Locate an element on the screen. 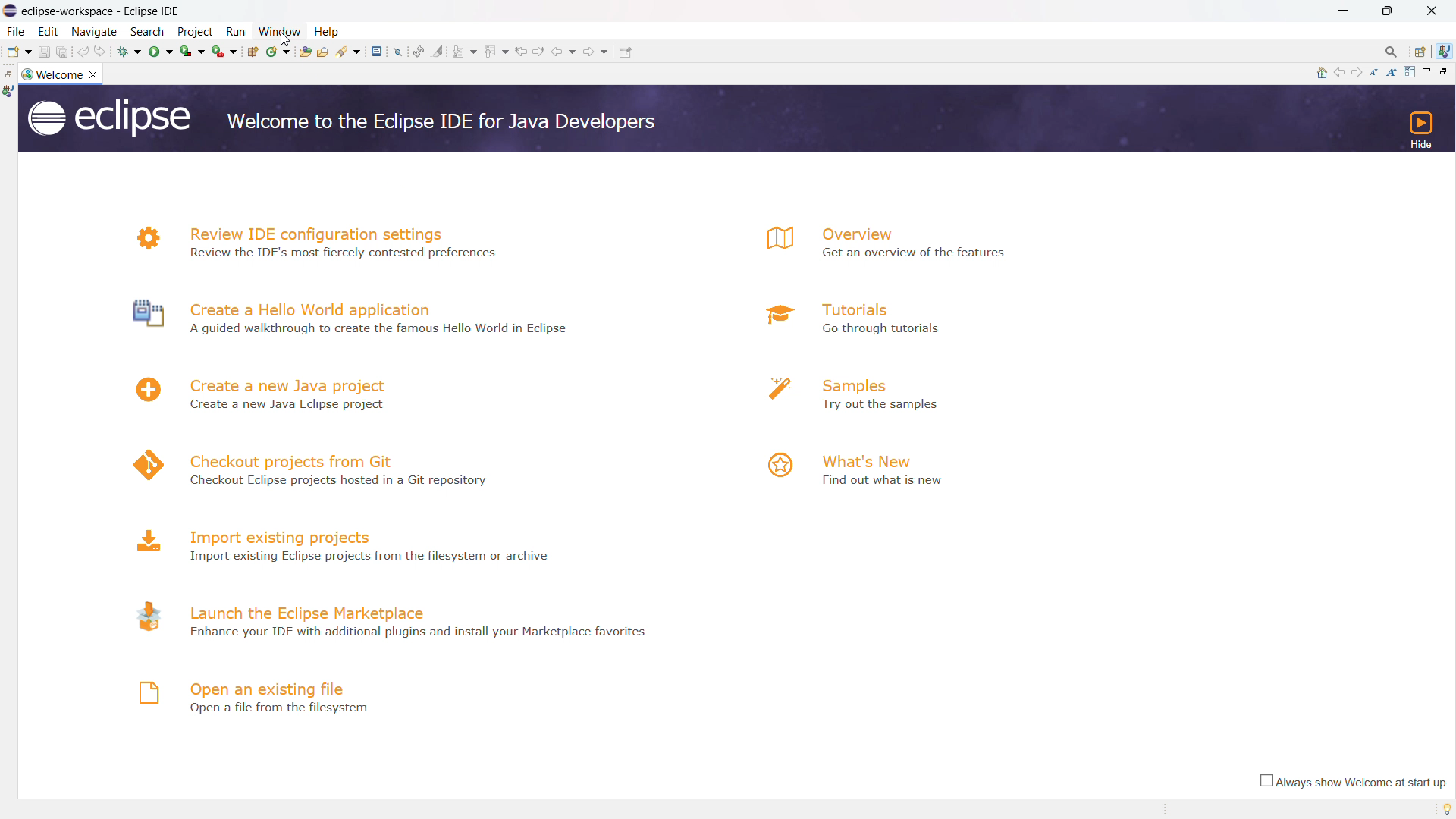 This screenshot has height=819, width=1456. create a new java project is located at coordinates (290, 384).